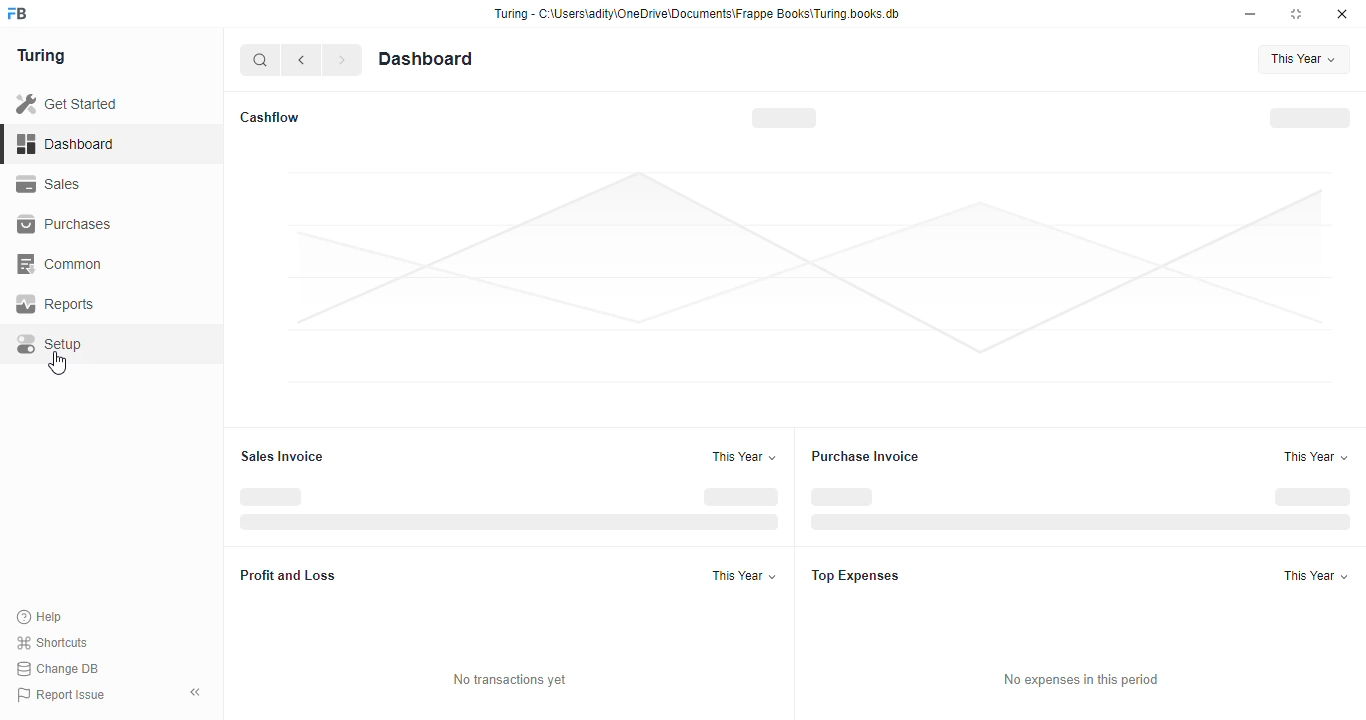  Describe the element at coordinates (261, 59) in the screenshot. I see `search ` at that location.